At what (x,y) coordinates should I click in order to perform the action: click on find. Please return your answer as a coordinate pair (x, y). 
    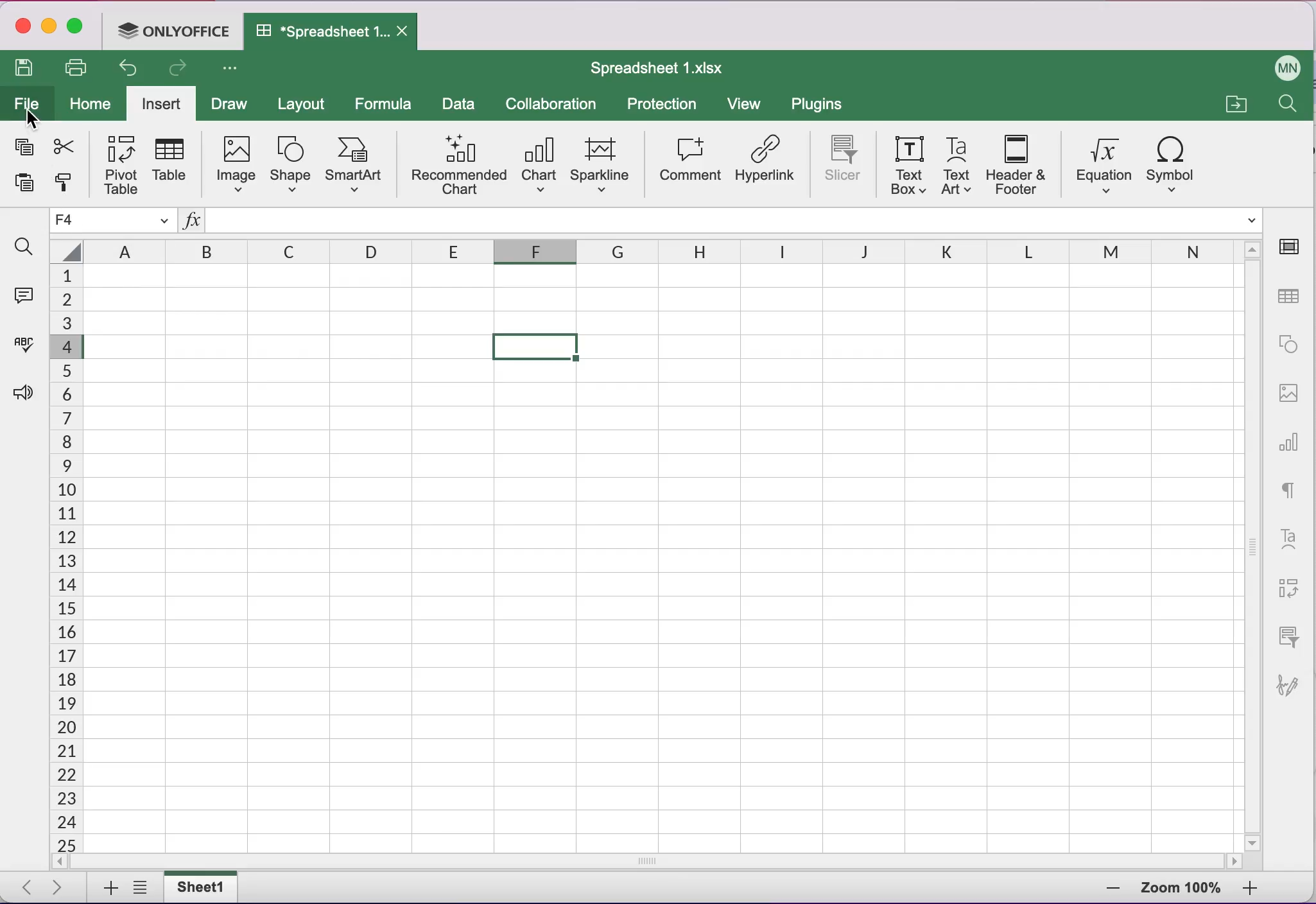
    Looking at the image, I should click on (26, 246).